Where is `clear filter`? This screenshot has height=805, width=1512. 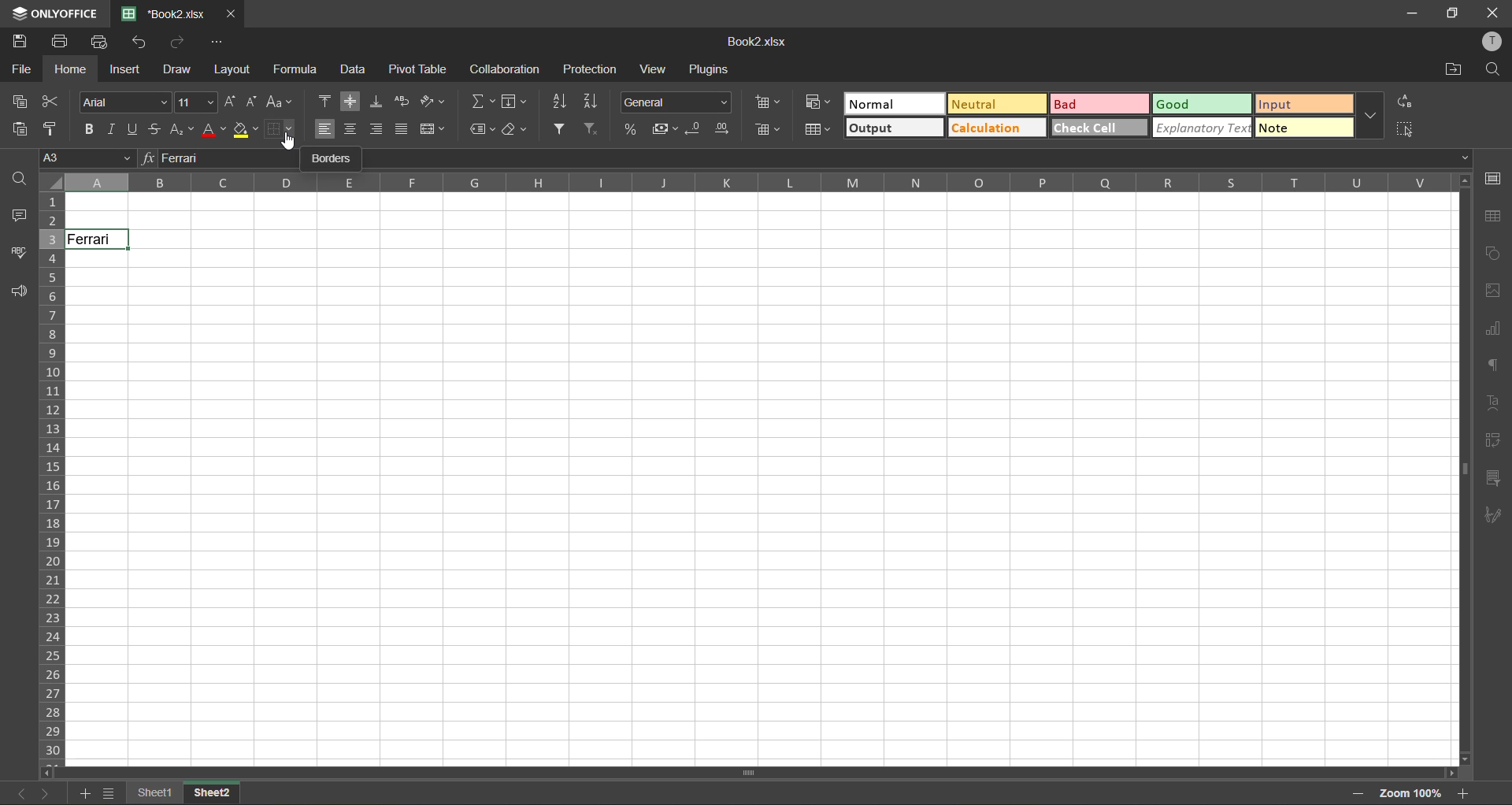 clear filter is located at coordinates (593, 130).